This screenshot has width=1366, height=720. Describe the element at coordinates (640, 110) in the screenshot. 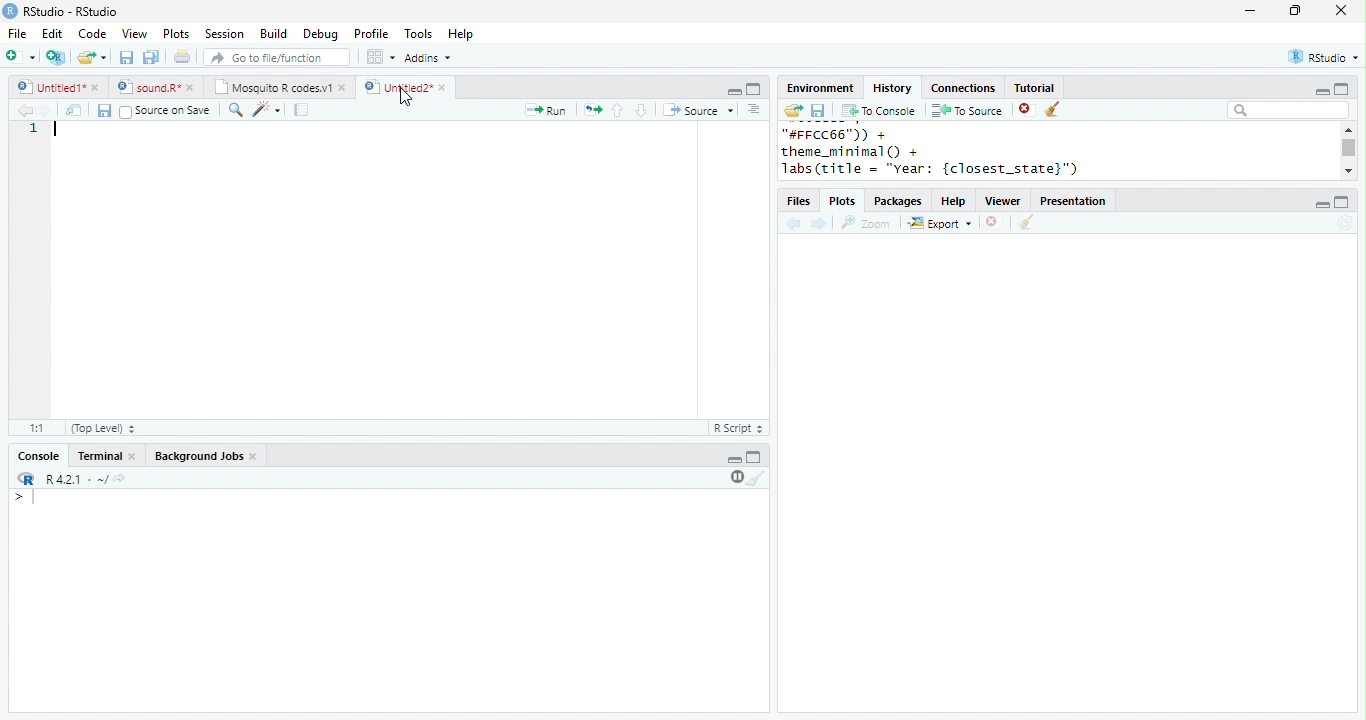

I see `down` at that location.